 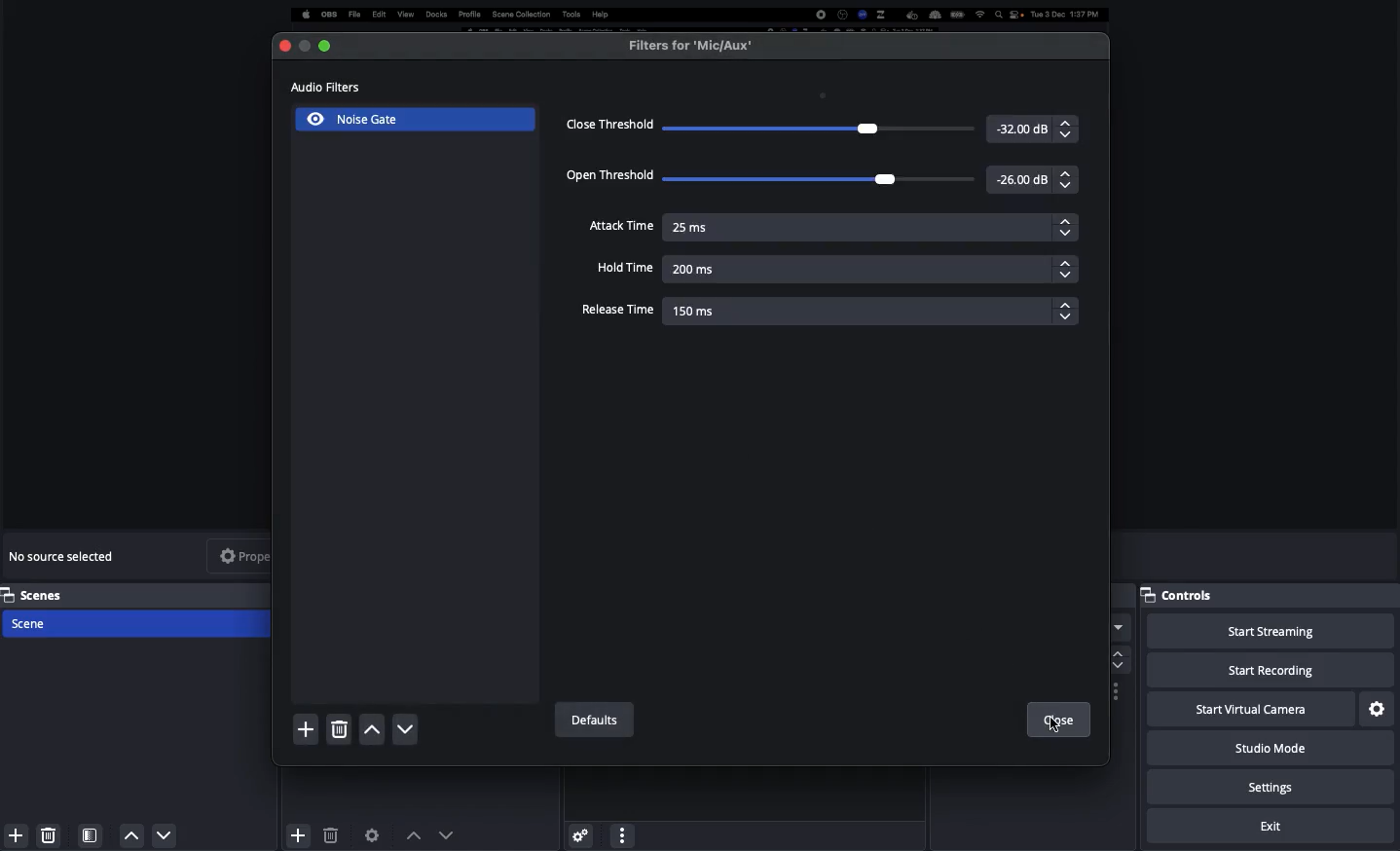 What do you see at coordinates (371, 731) in the screenshot?
I see `Up` at bounding box center [371, 731].